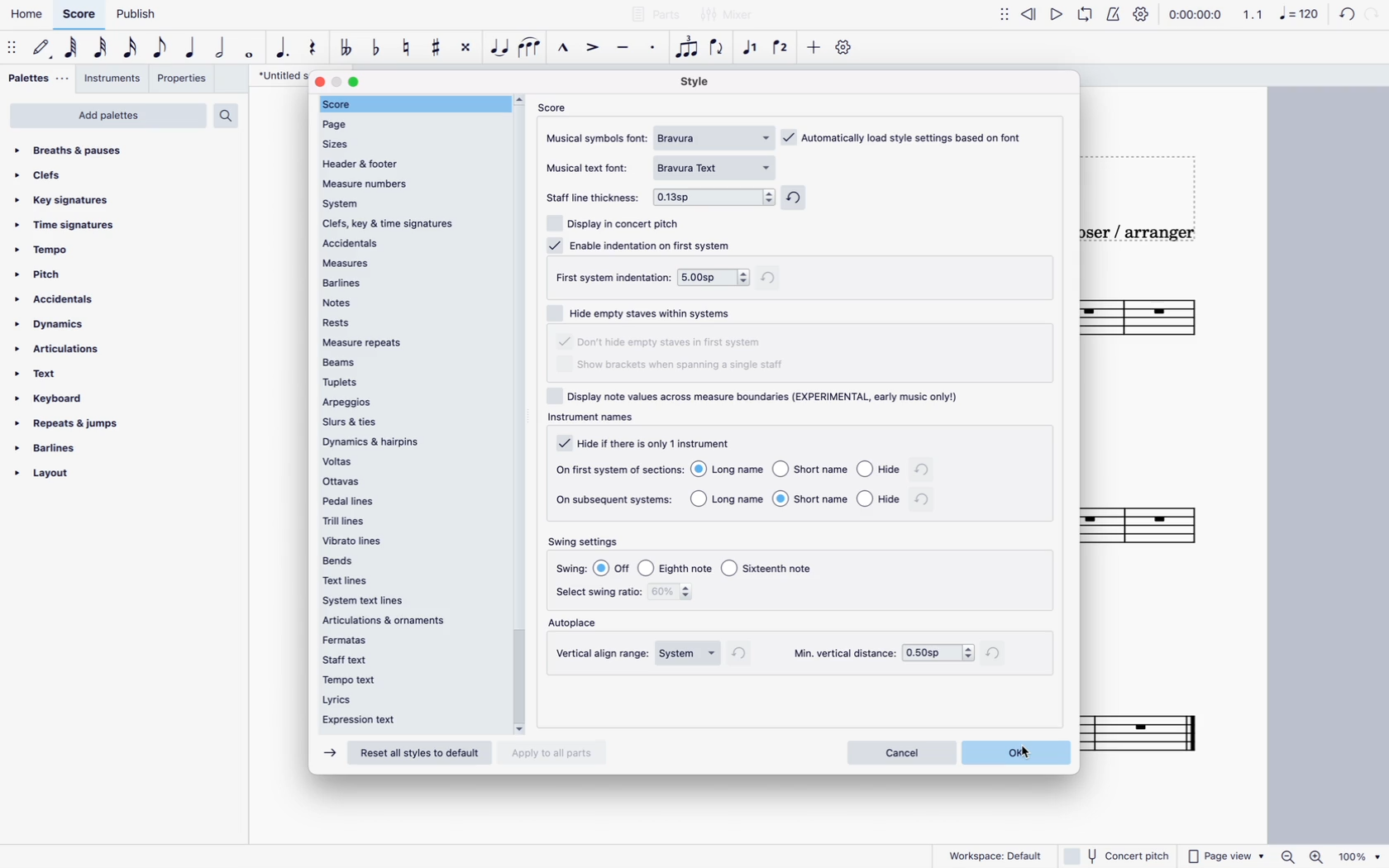  Describe the element at coordinates (842, 654) in the screenshot. I see `min vertical distance` at that location.